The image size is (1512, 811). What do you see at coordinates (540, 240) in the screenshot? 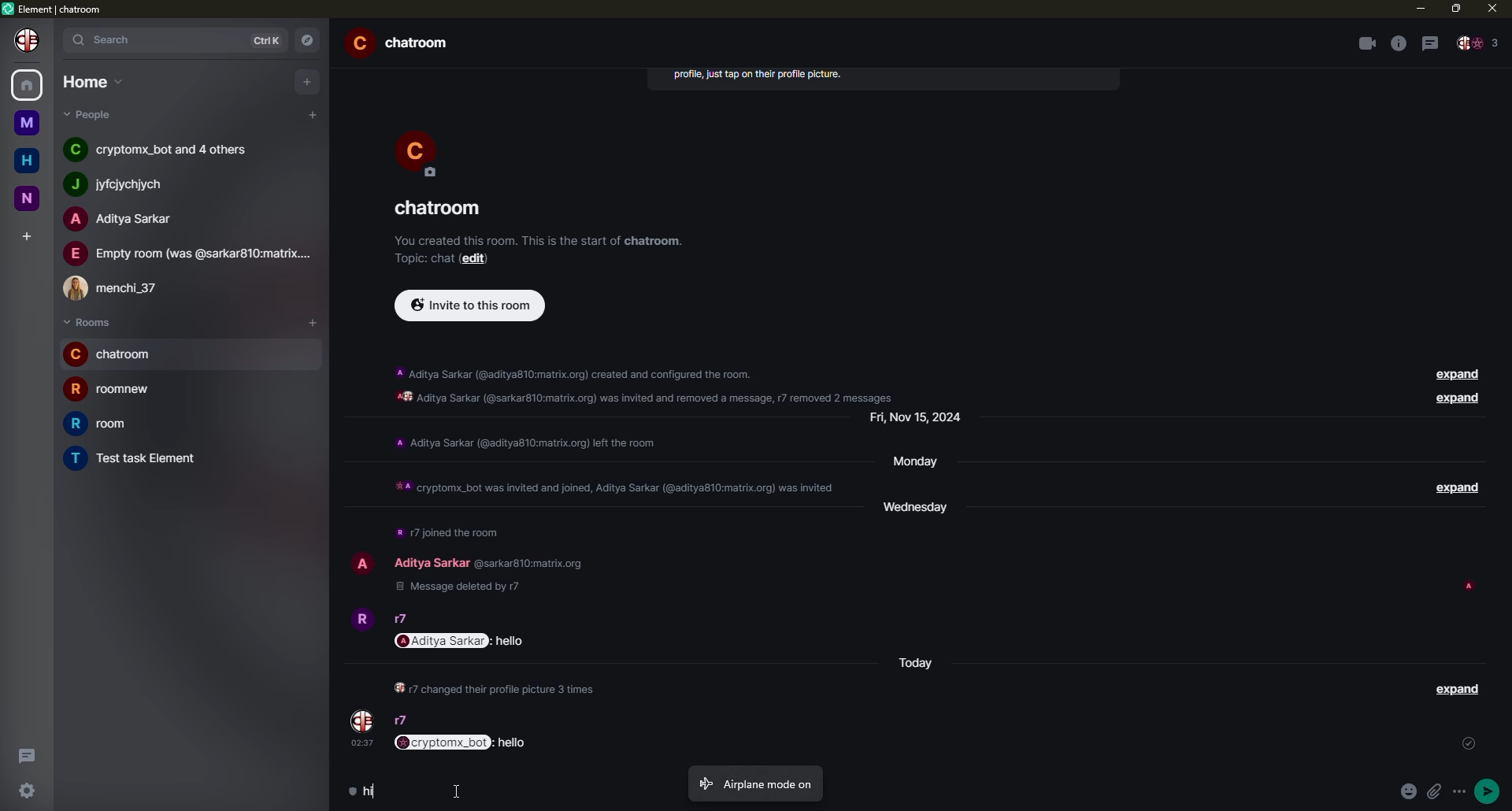
I see `info` at bounding box center [540, 240].